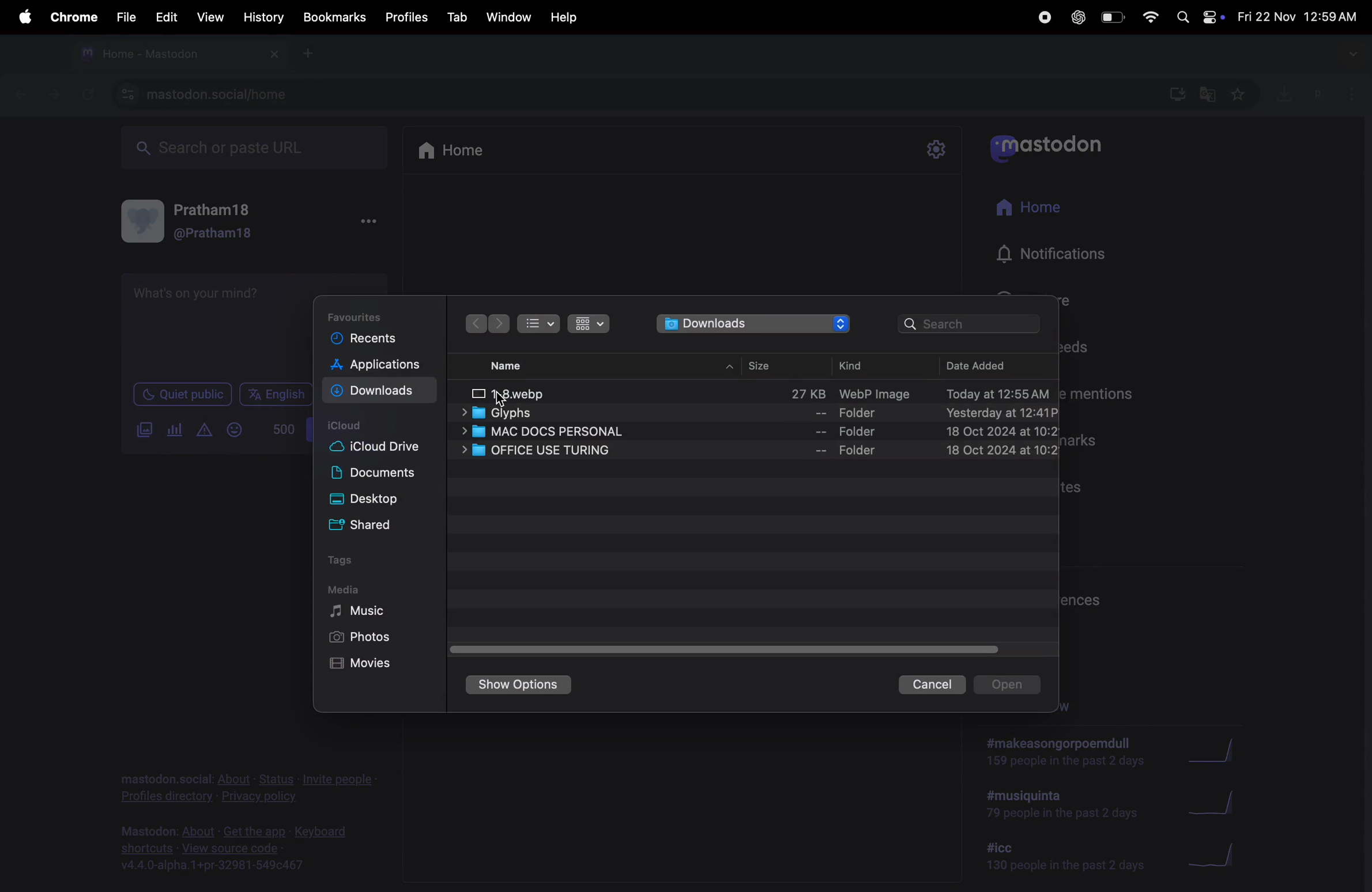 The width and height of the screenshot is (1372, 892). I want to click on battery, so click(1111, 18).